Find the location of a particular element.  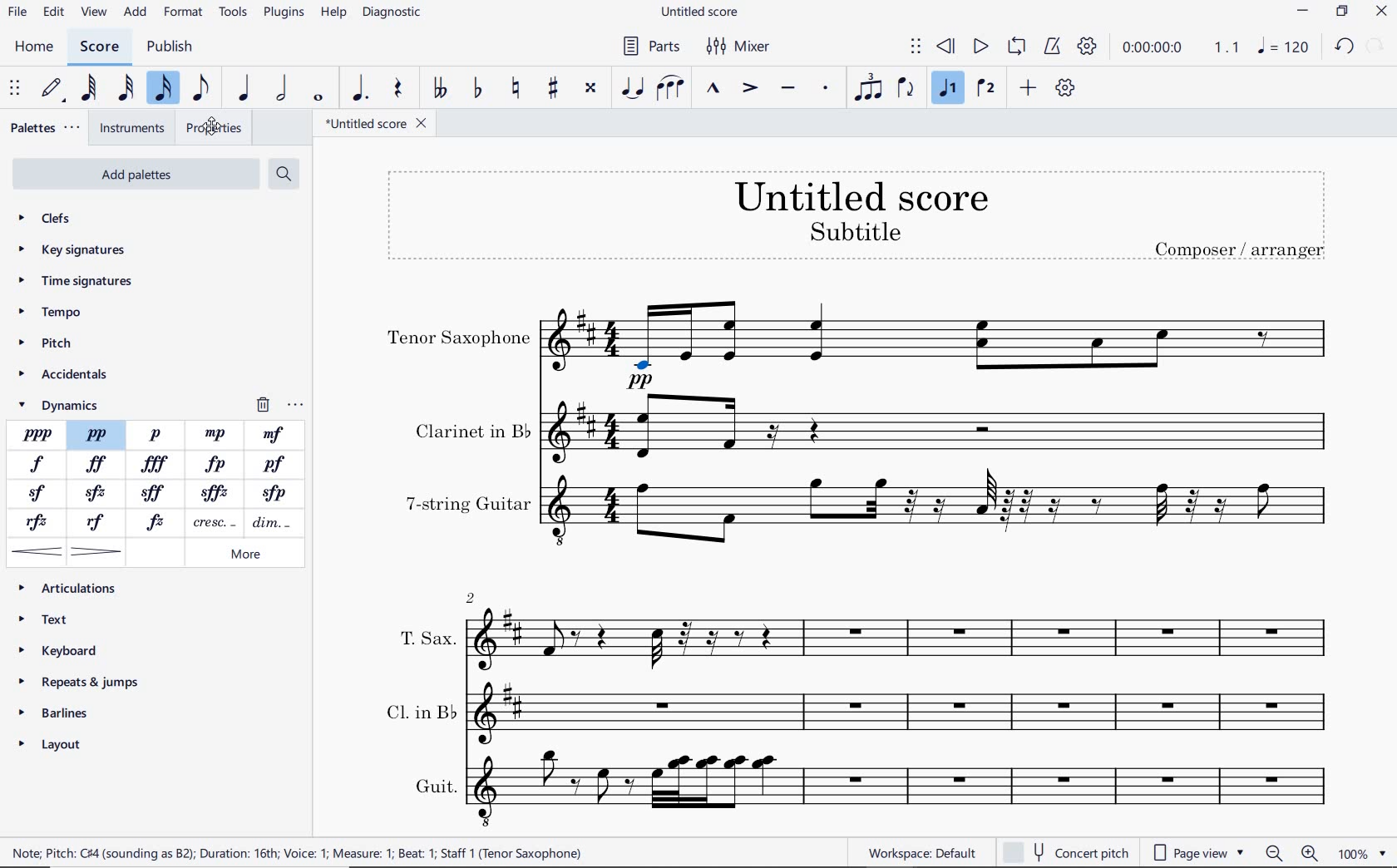

HALF NOTE is located at coordinates (282, 90).